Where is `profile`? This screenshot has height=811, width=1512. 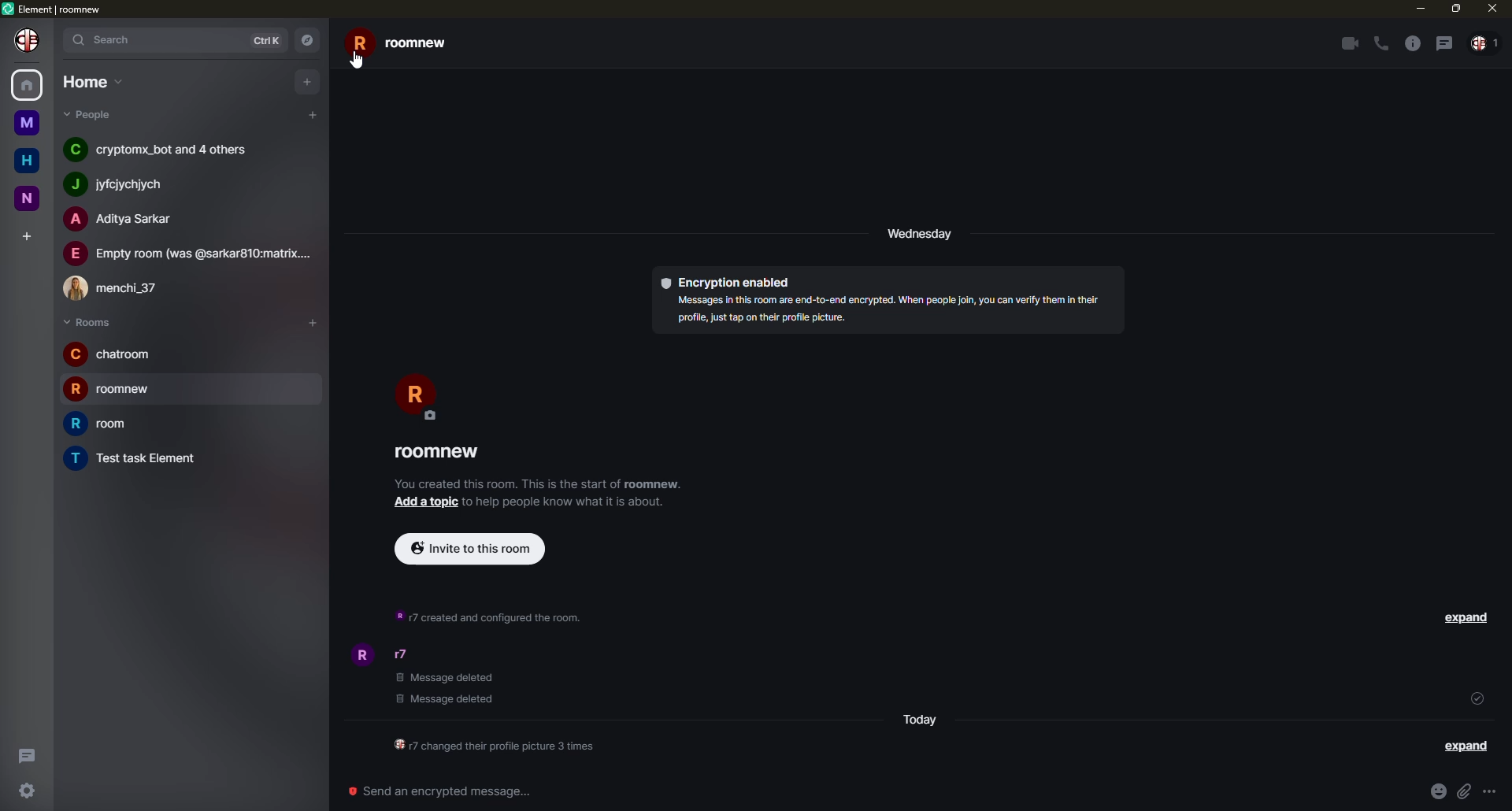 profile is located at coordinates (361, 655).